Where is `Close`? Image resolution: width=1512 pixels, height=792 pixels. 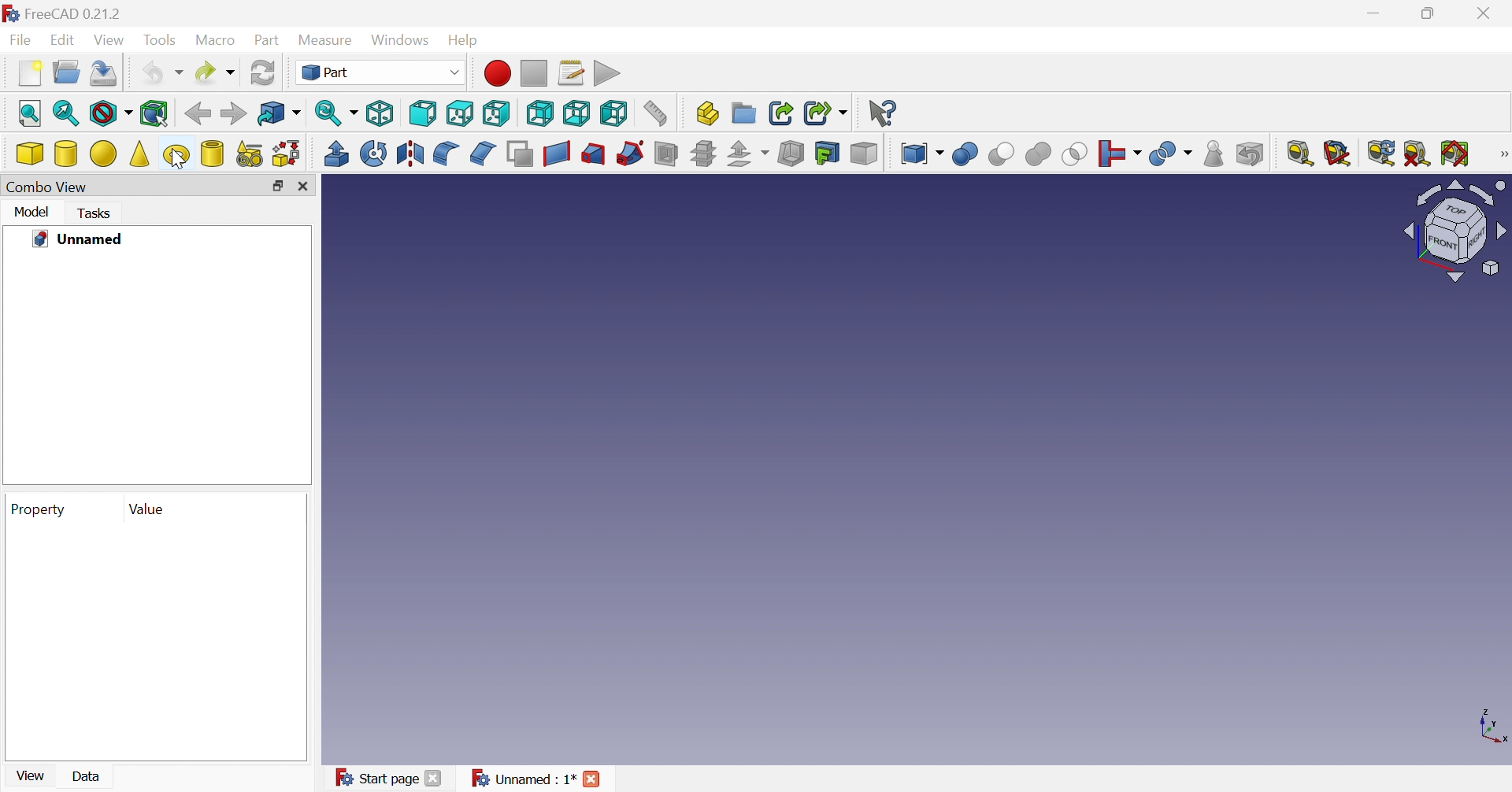 Close is located at coordinates (593, 779).